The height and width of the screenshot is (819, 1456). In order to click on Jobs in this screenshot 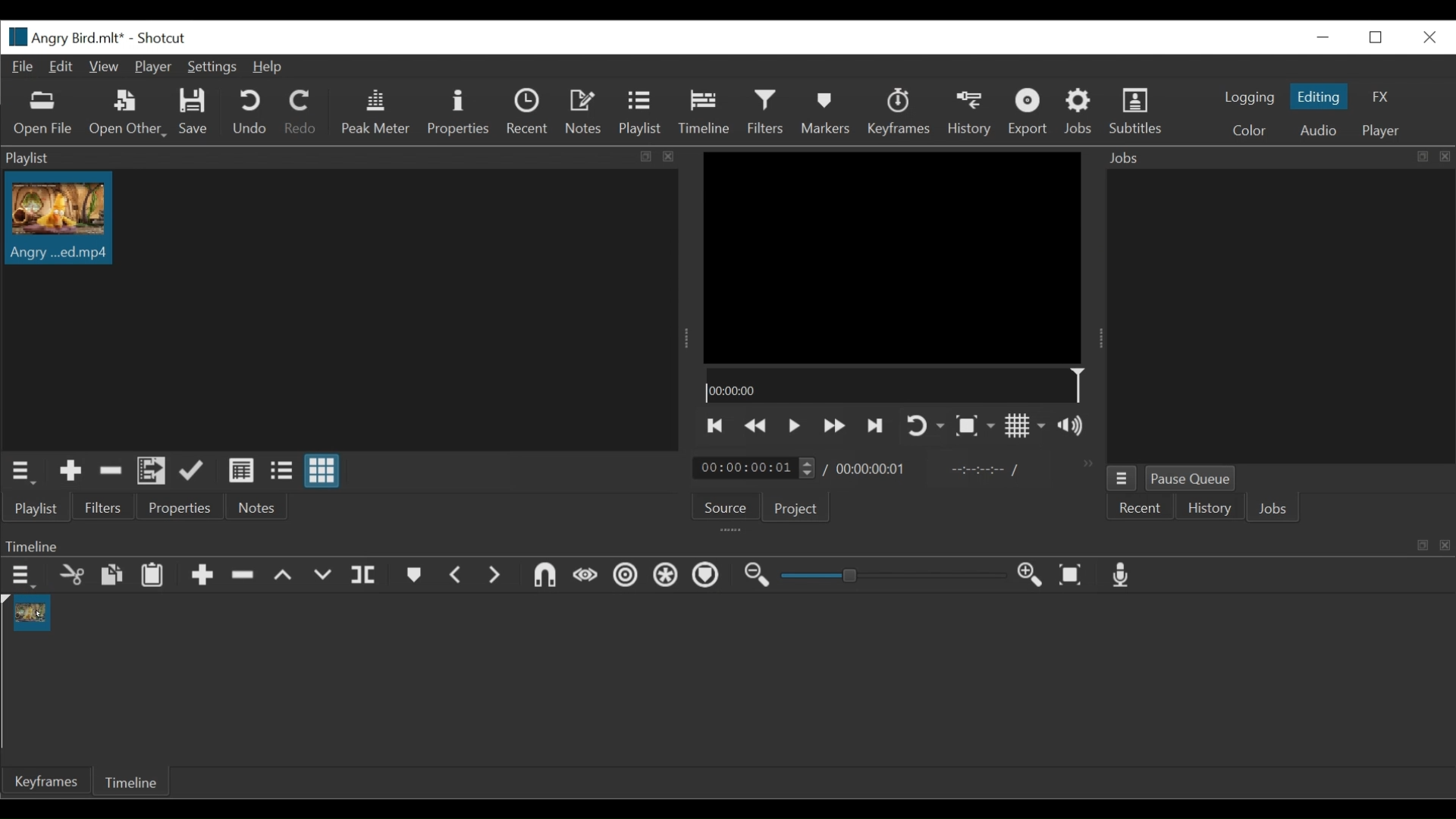, I will do `click(1276, 511)`.